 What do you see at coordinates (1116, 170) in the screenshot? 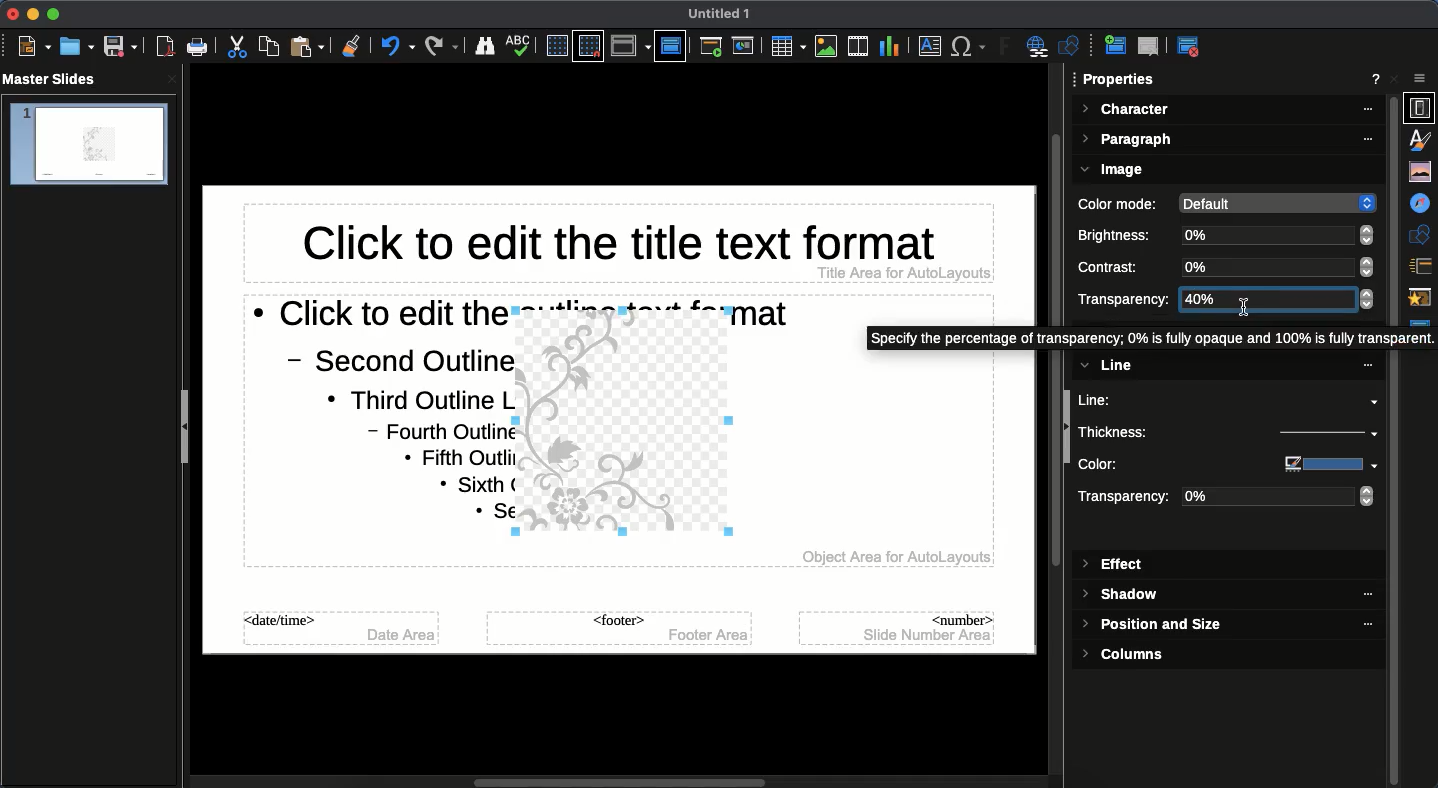
I see `Image` at bounding box center [1116, 170].